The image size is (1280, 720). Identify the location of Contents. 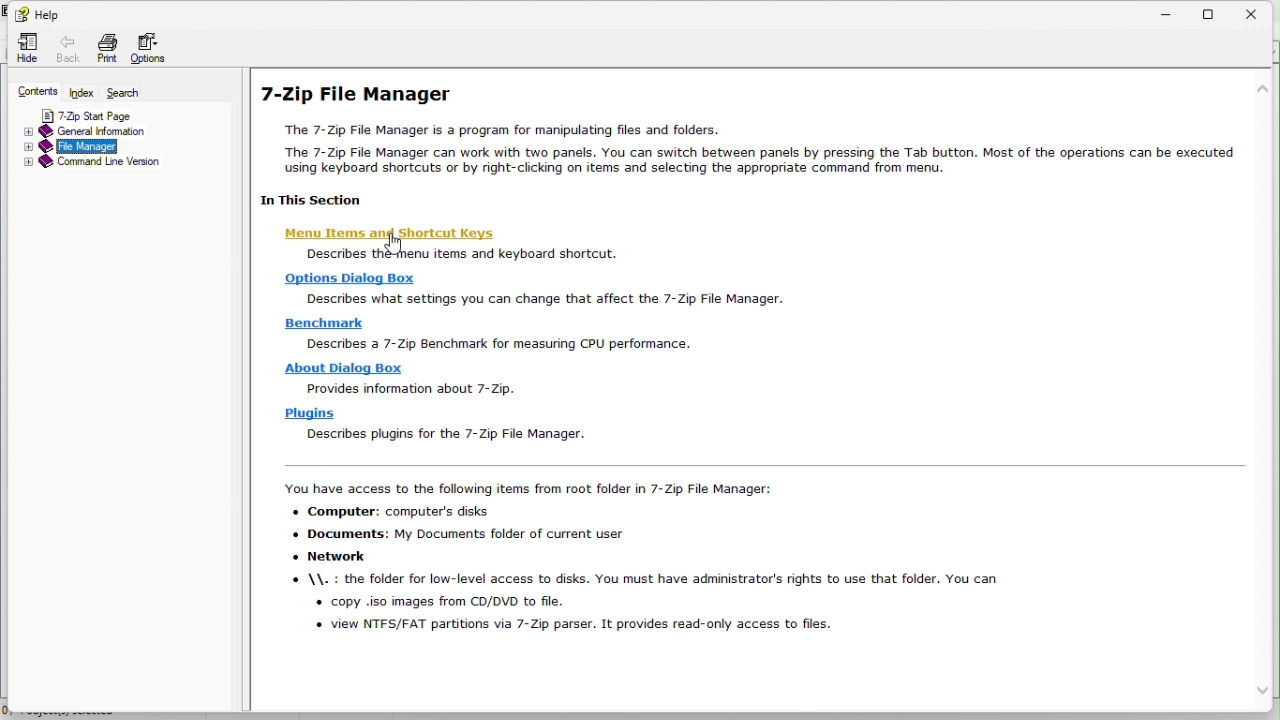
(31, 91).